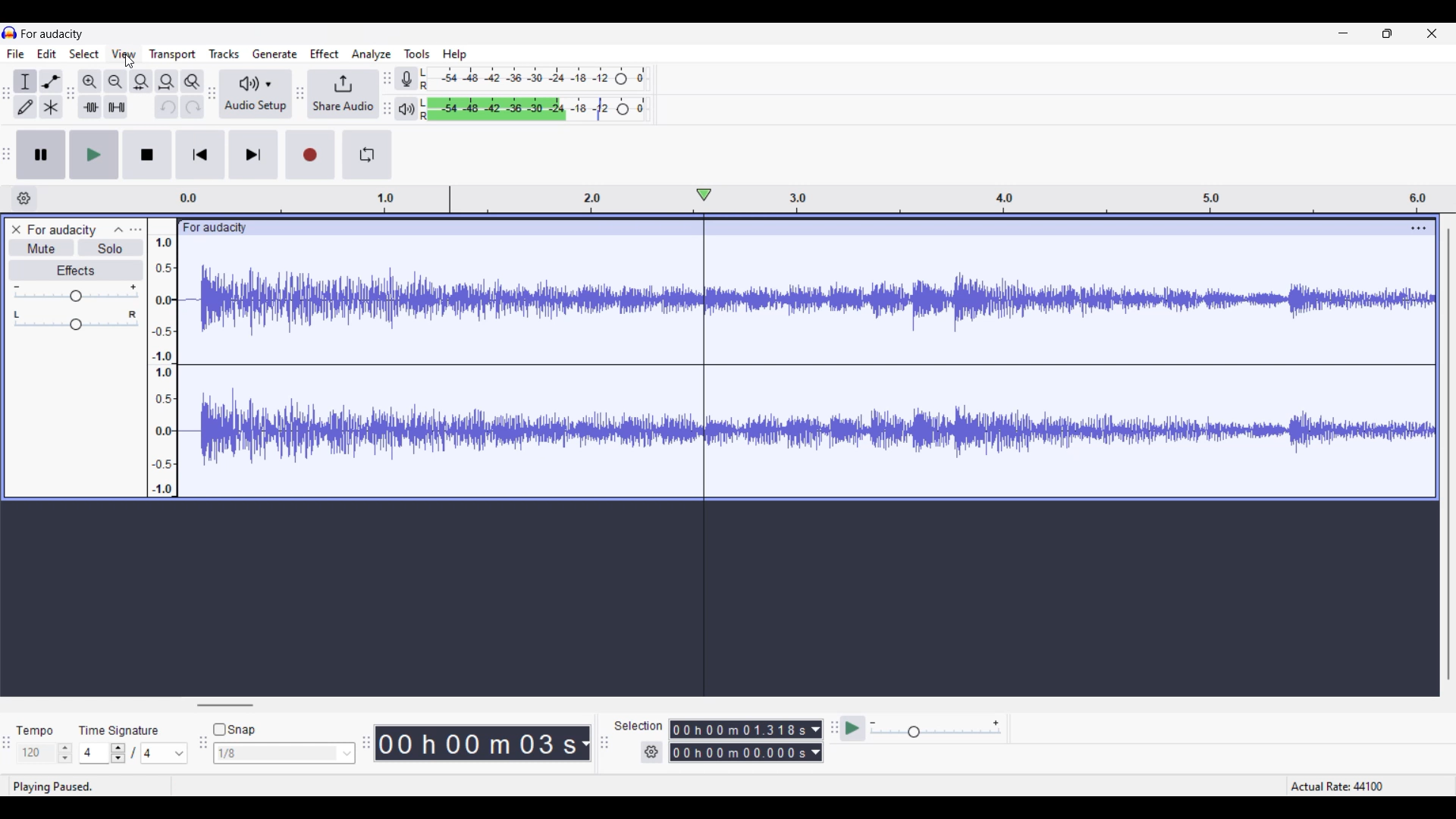  What do you see at coordinates (45, 753) in the screenshot?
I see `Tempo settings` at bounding box center [45, 753].